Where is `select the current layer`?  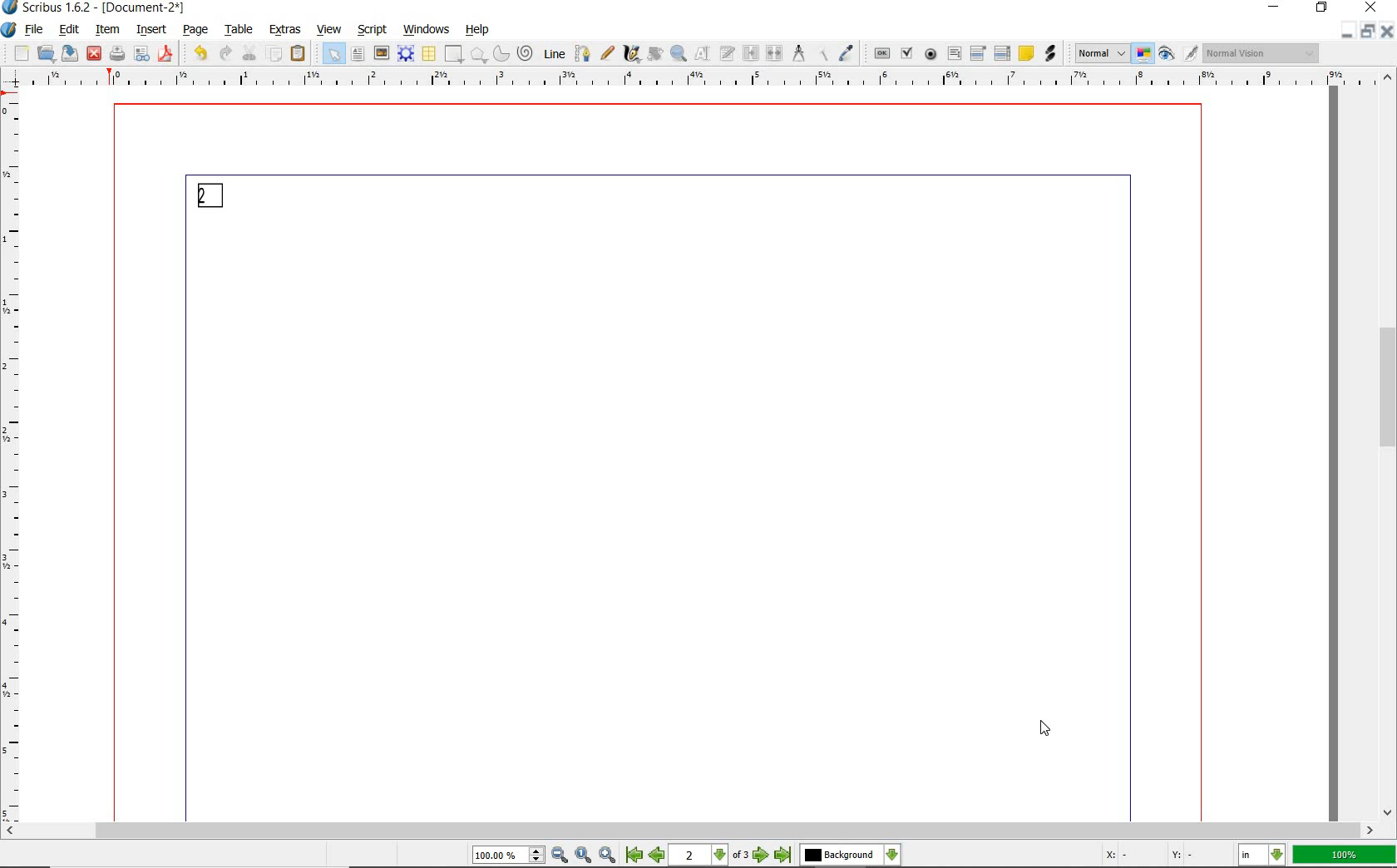 select the current layer is located at coordinates (850, 856).